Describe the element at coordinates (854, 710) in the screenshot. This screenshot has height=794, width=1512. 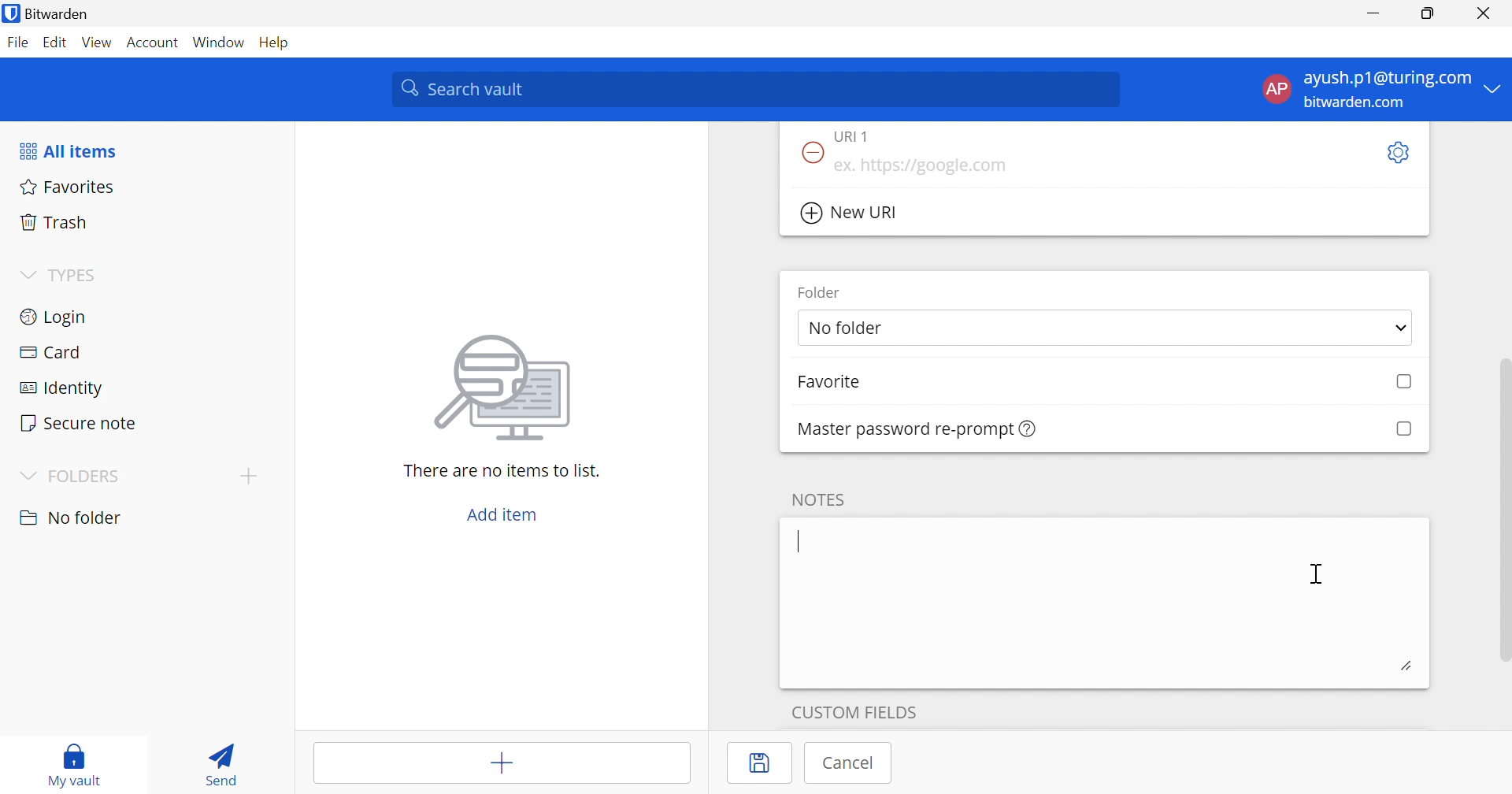
I see `CUSTOM FIELDS` at that location.